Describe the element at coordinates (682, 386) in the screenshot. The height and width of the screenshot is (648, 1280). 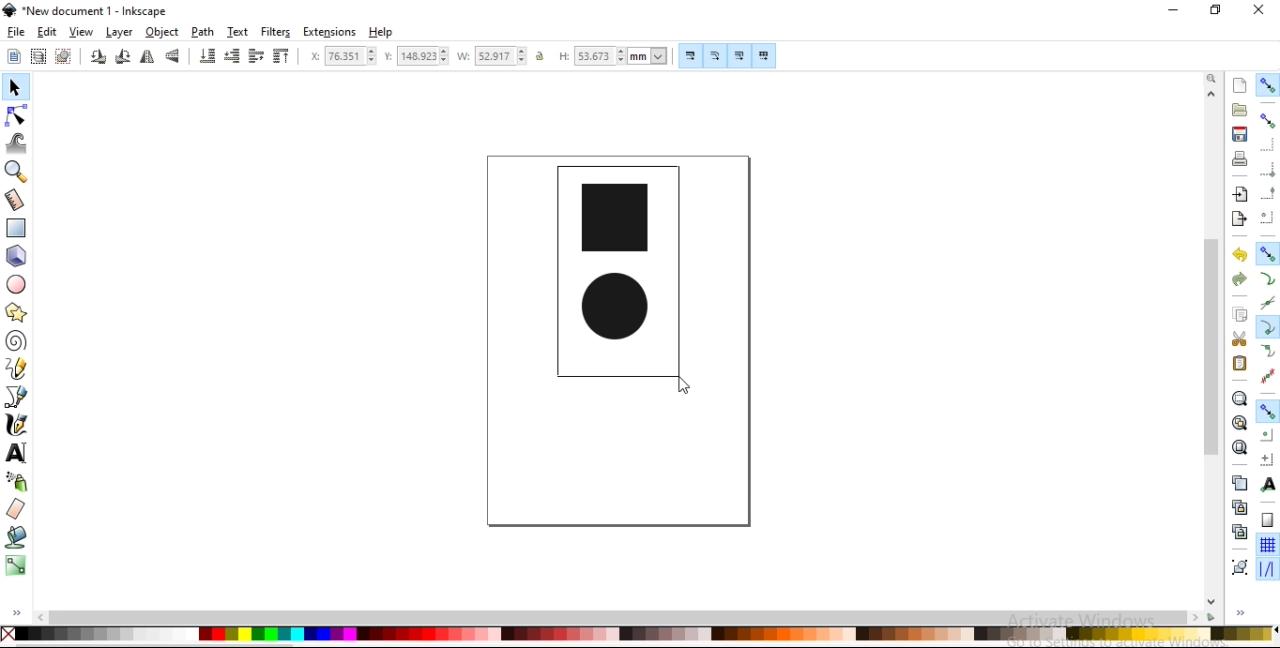
I see `cursor` at that location.